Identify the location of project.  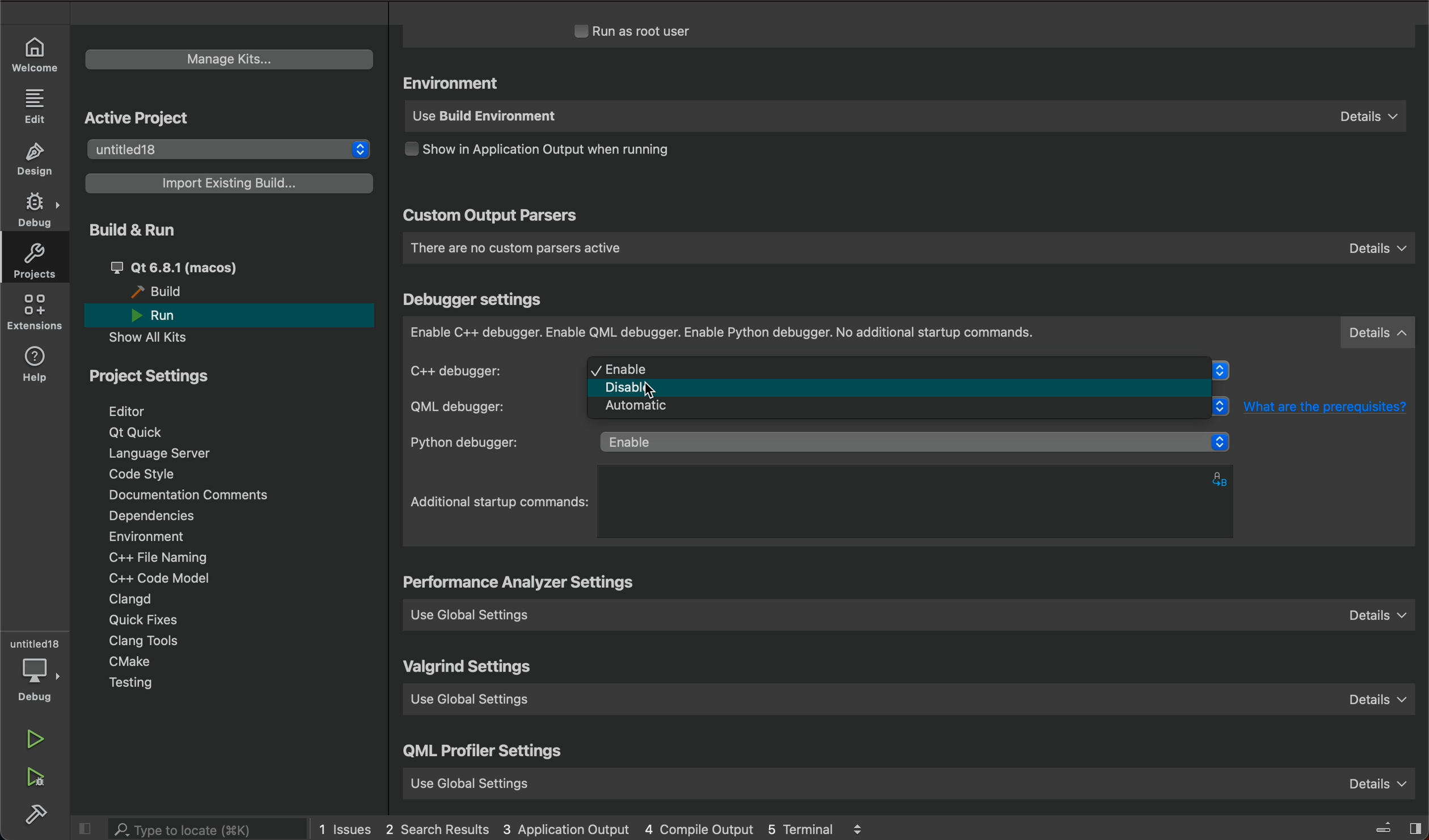
(157, 380).